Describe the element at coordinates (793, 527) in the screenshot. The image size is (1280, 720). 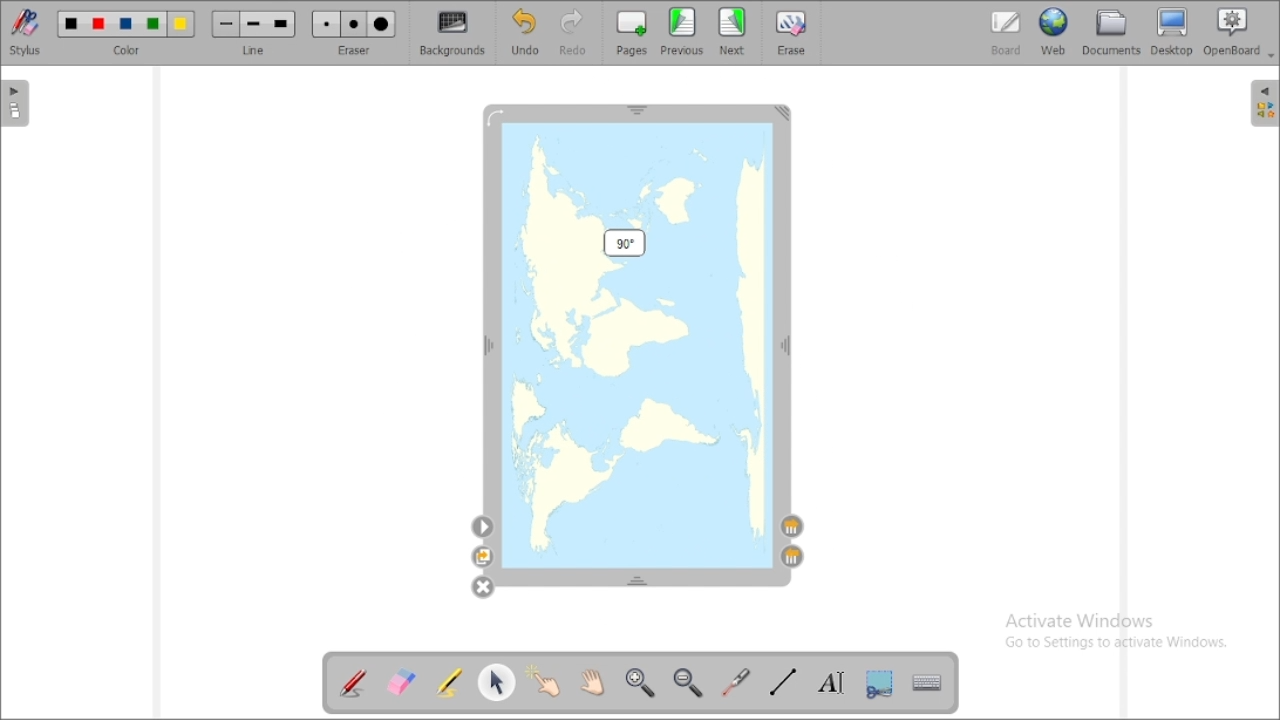
I see `layer down` at that location.